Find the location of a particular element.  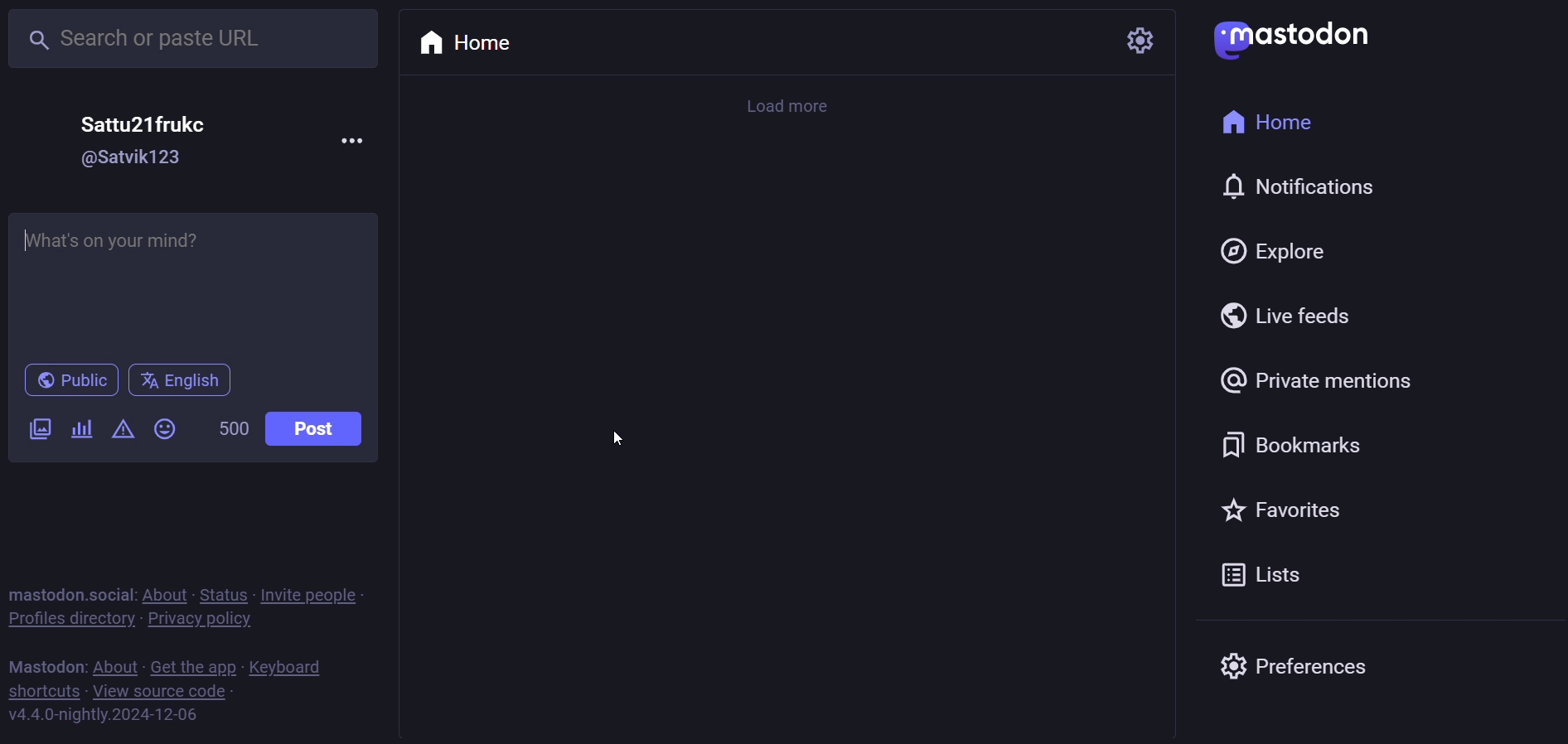

about is located at coordinates (115, 664).